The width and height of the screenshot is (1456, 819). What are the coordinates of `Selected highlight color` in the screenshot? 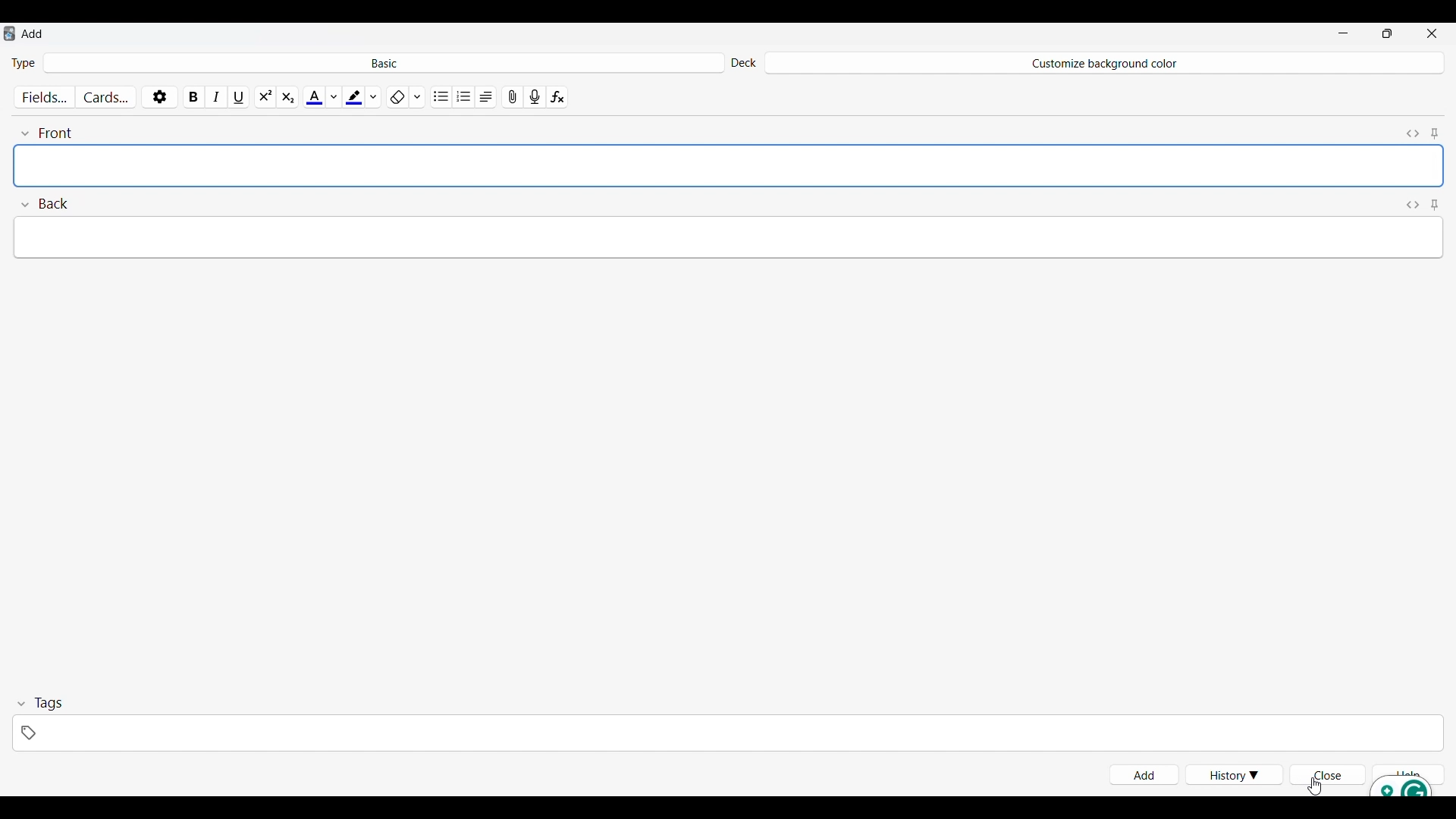 It's located at (353, 94).